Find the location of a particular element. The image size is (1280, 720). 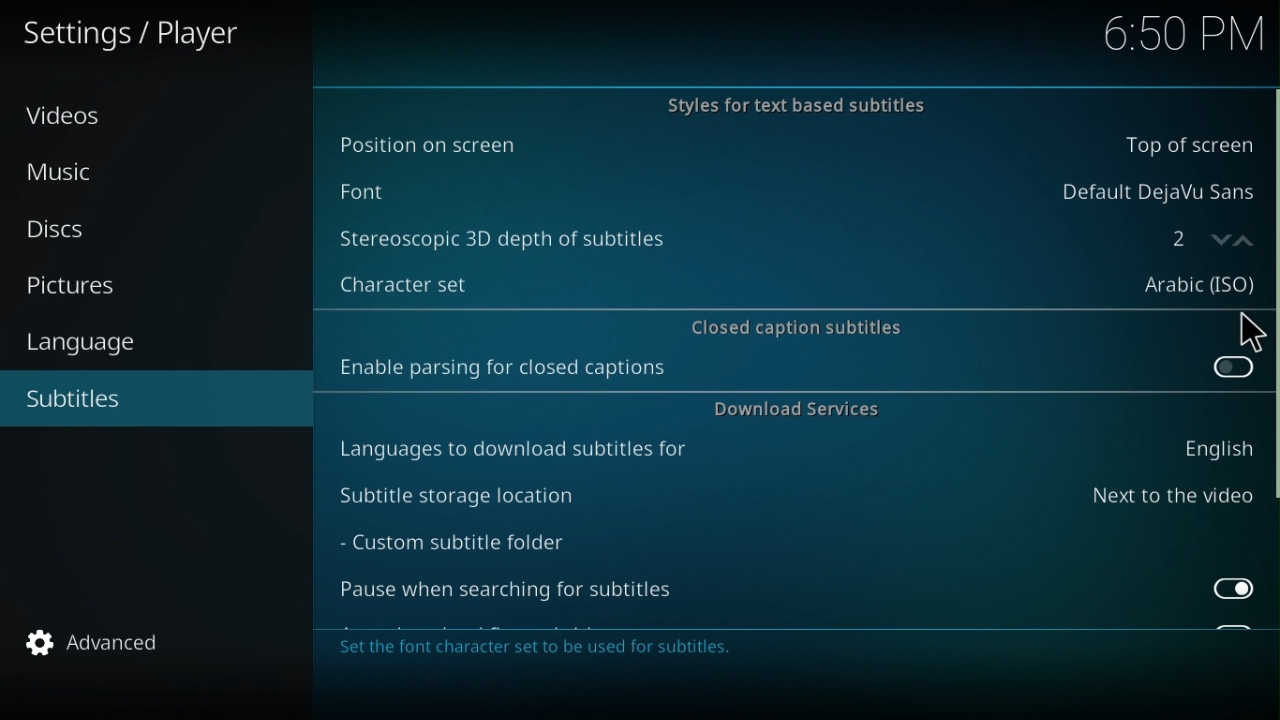

Character set is located at coordinates (707, 287).